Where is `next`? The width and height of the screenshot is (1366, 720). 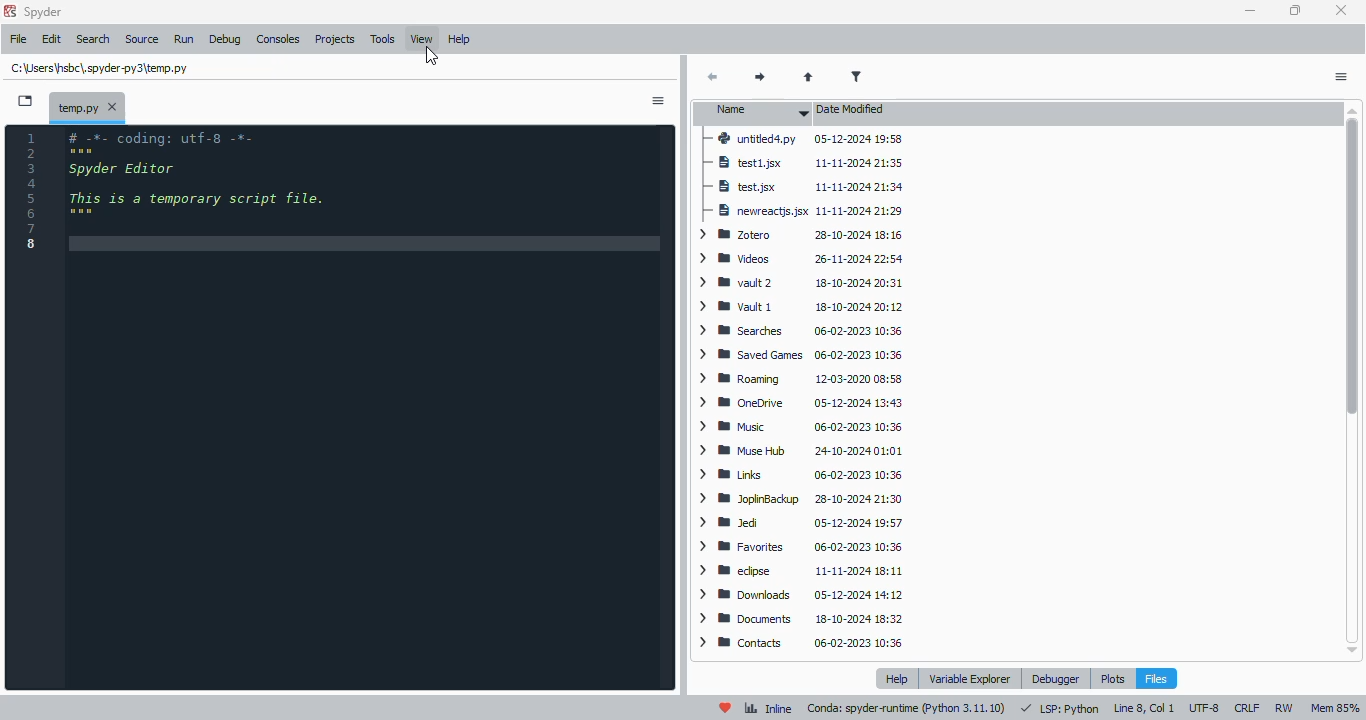
next is located at coordinates (760, 78).